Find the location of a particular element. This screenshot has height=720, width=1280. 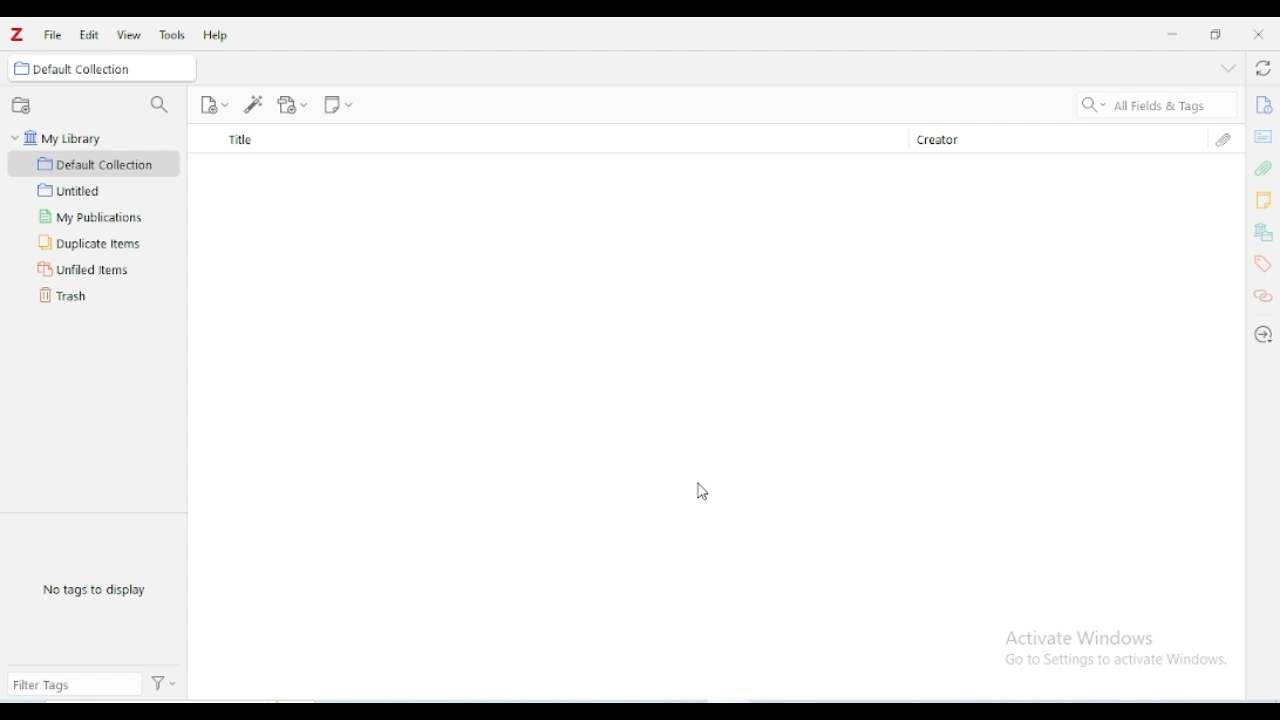

my publications is located at coordinates (86, 217).